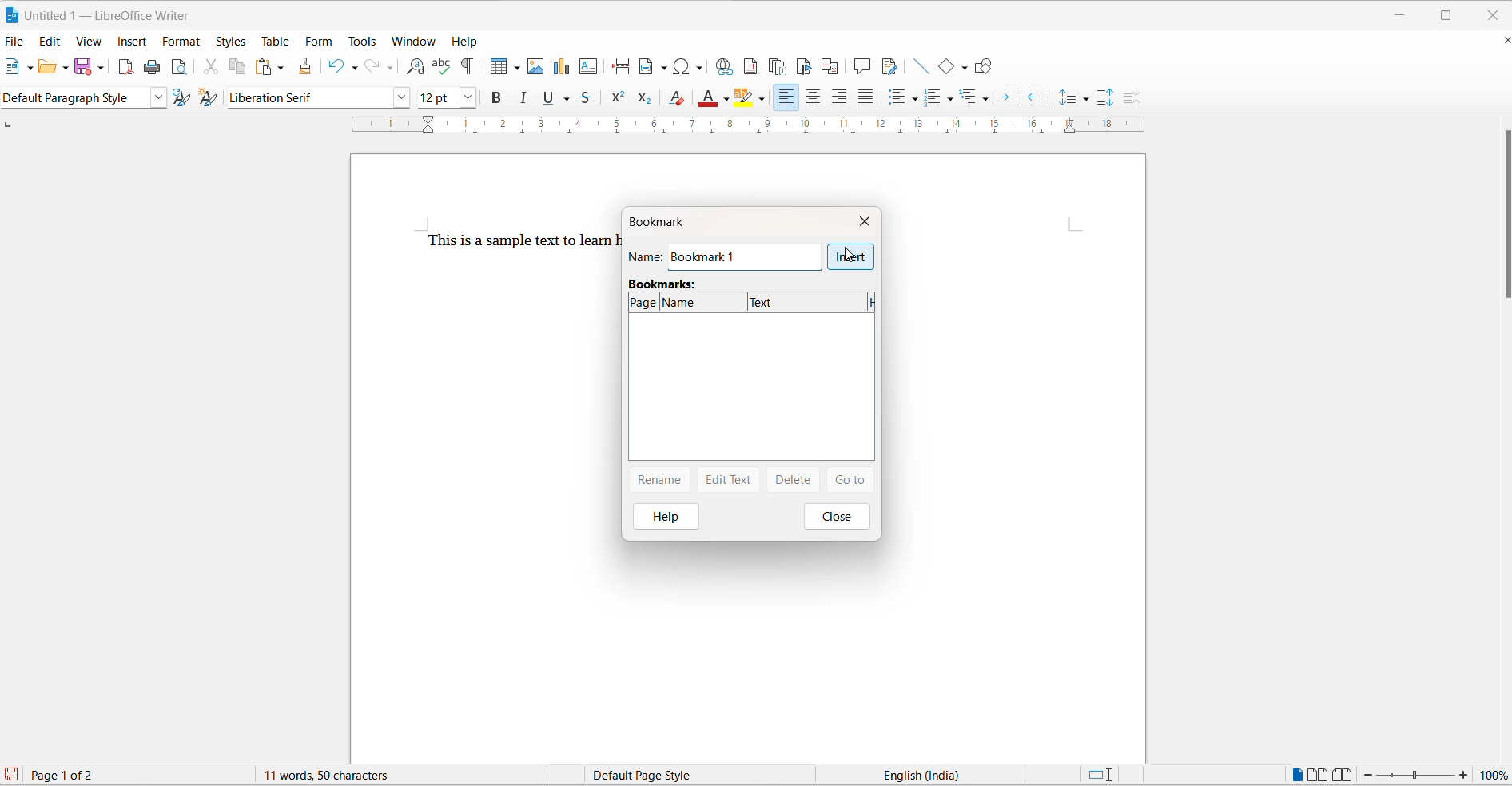  What do you see at coordinates (526, 99) in the screenshot?
I see `italic` at bounding box center [526, 99].